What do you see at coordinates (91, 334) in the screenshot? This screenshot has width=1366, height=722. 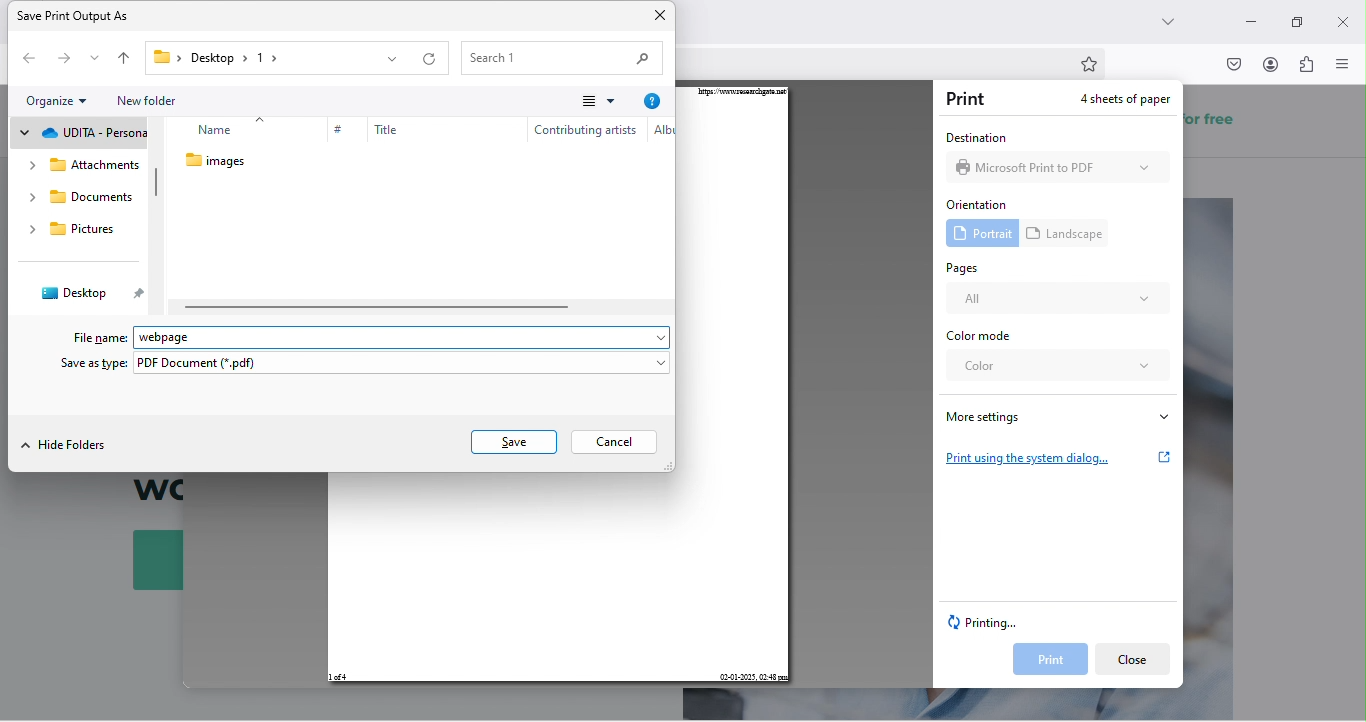 I see `file name` at bounding box center [91, 334].